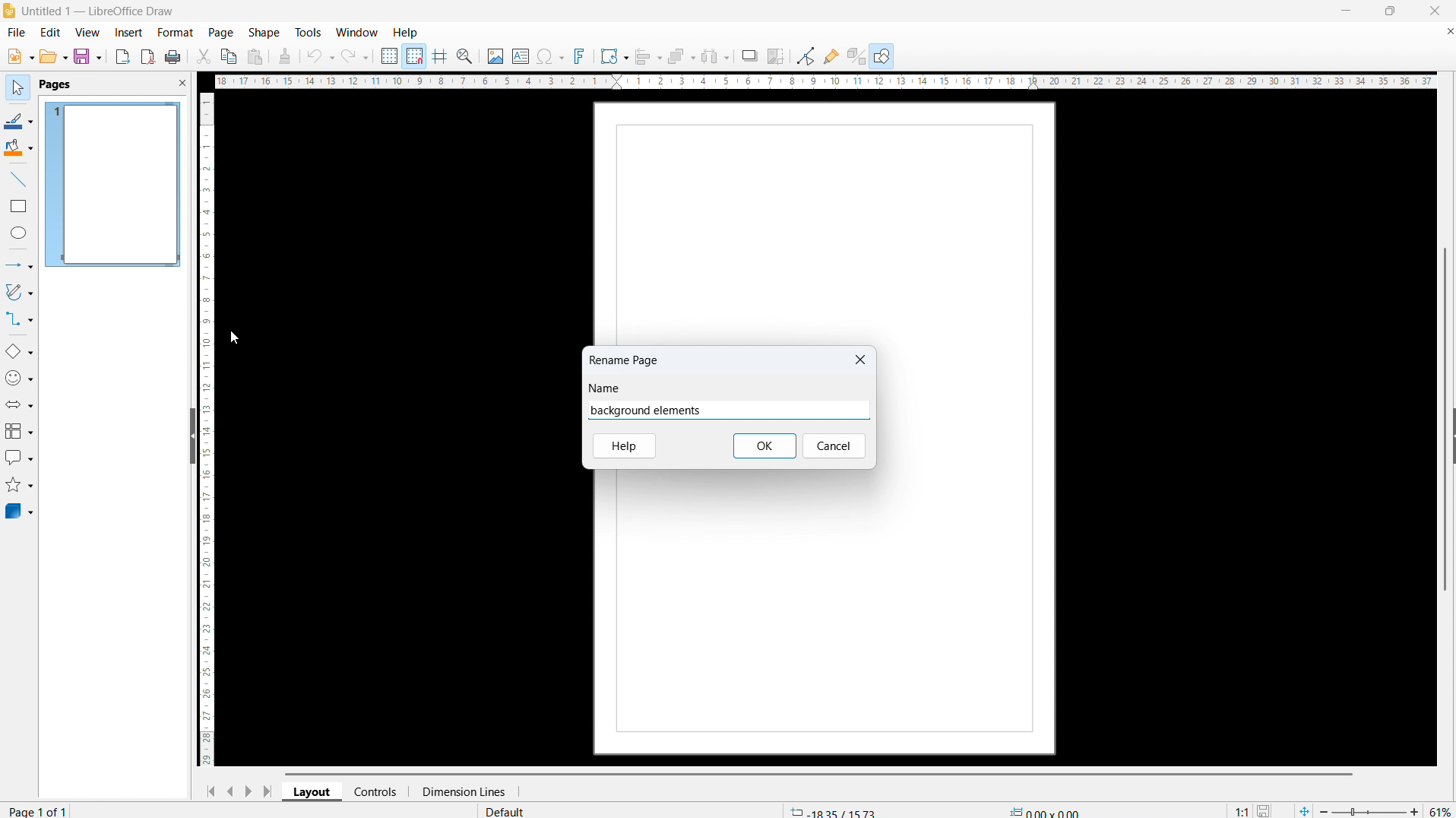 The width and height of the screenshot is (1456, 818). I want to click on Rename page, so click(625, 359).